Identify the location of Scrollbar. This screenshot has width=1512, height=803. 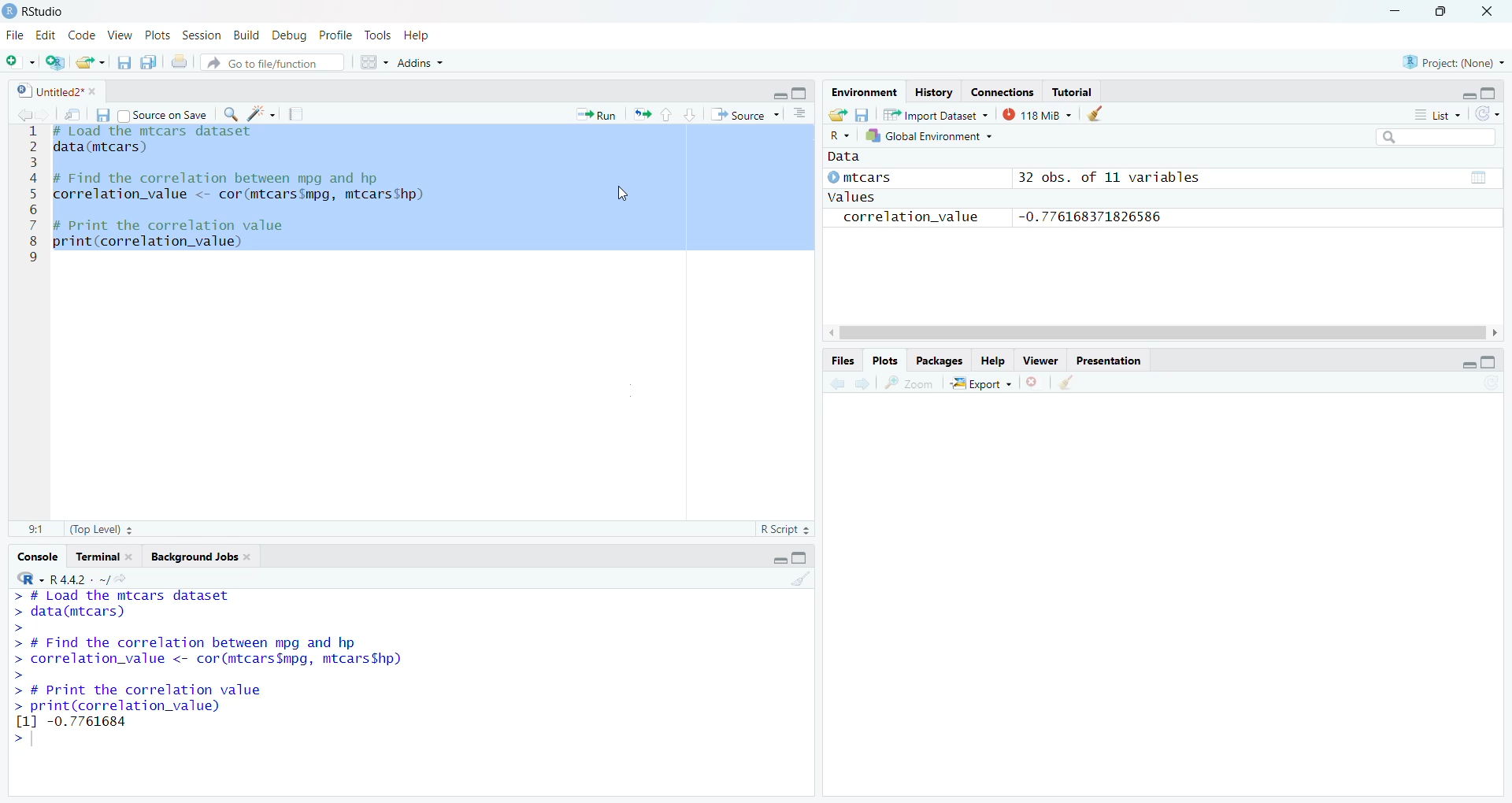
(1161, 331).